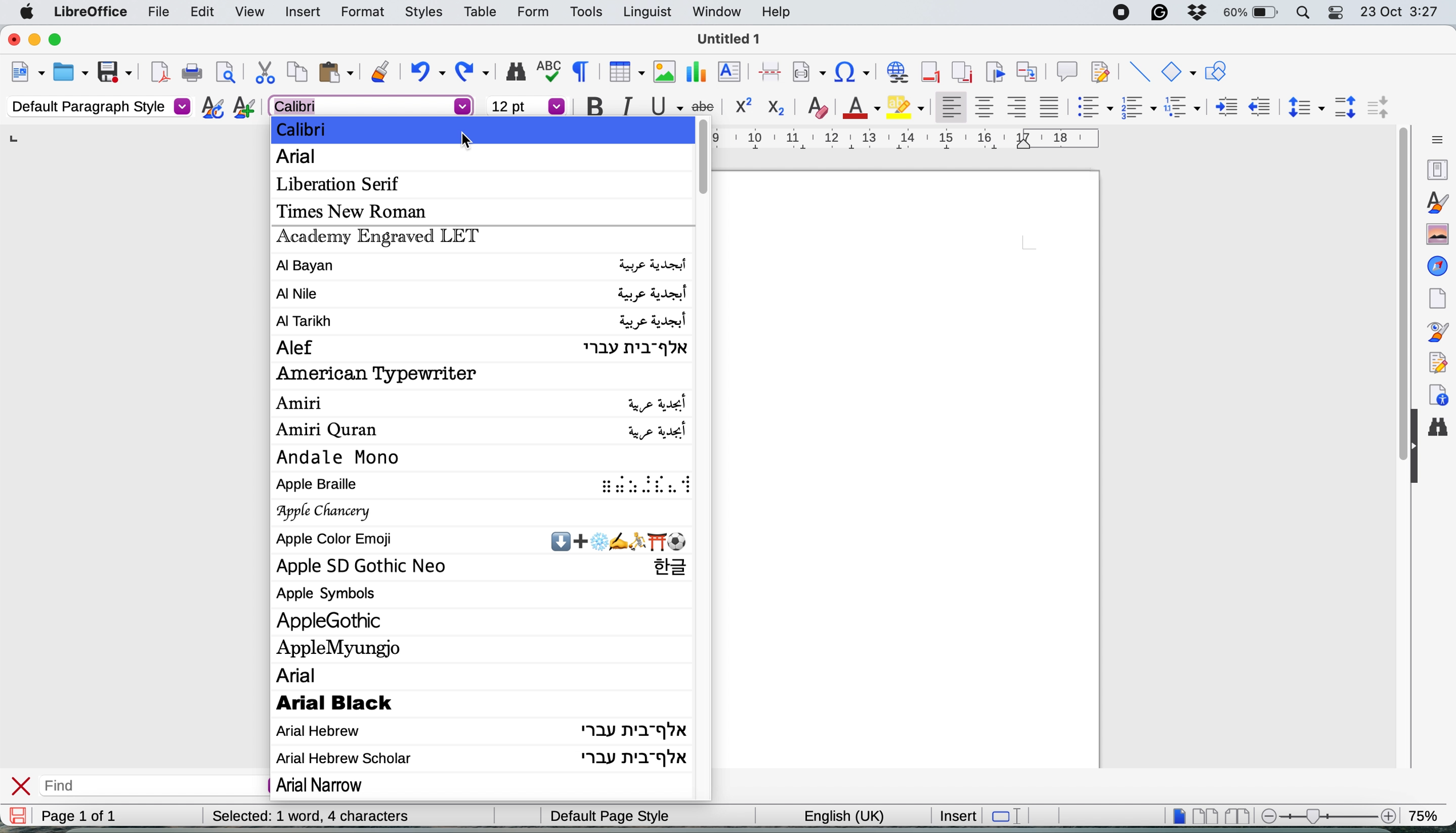 This screenshot has height=833, width=1456. I want to click on spotlight search, so click(1302, 14).